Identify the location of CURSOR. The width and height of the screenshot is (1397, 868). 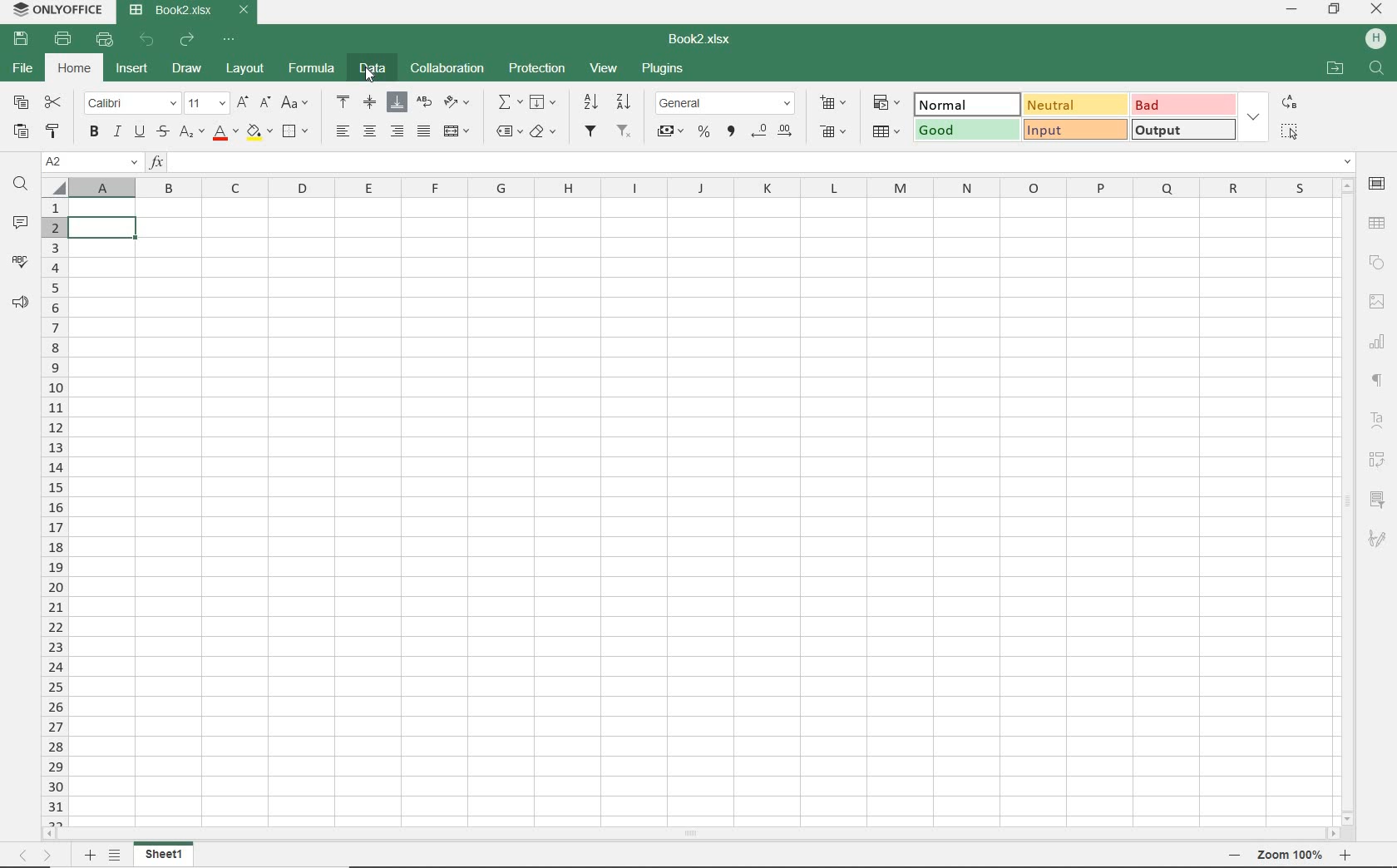
(370, 74).